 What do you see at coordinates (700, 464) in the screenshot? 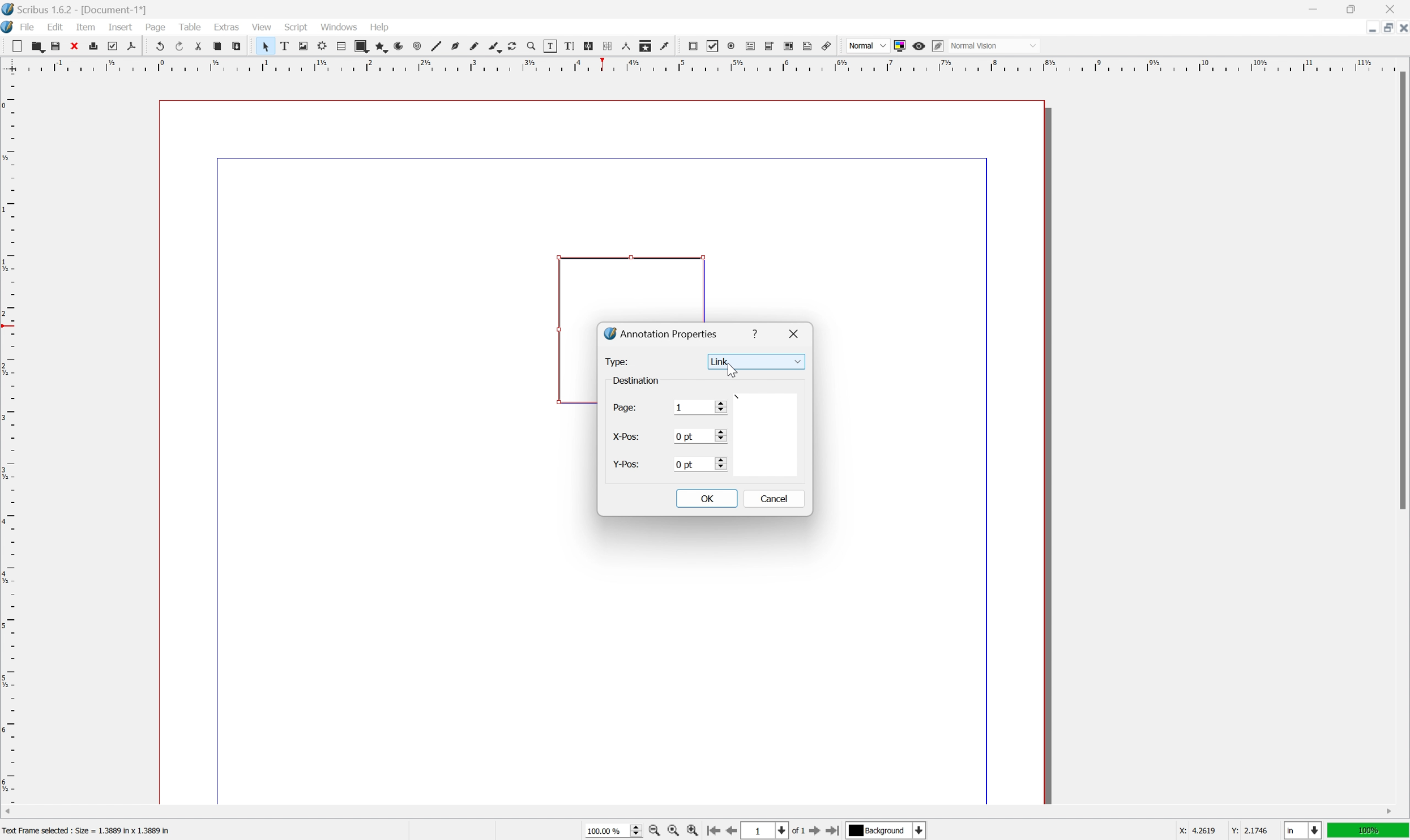
I see `0 pt` at bounding box center [700, 464].